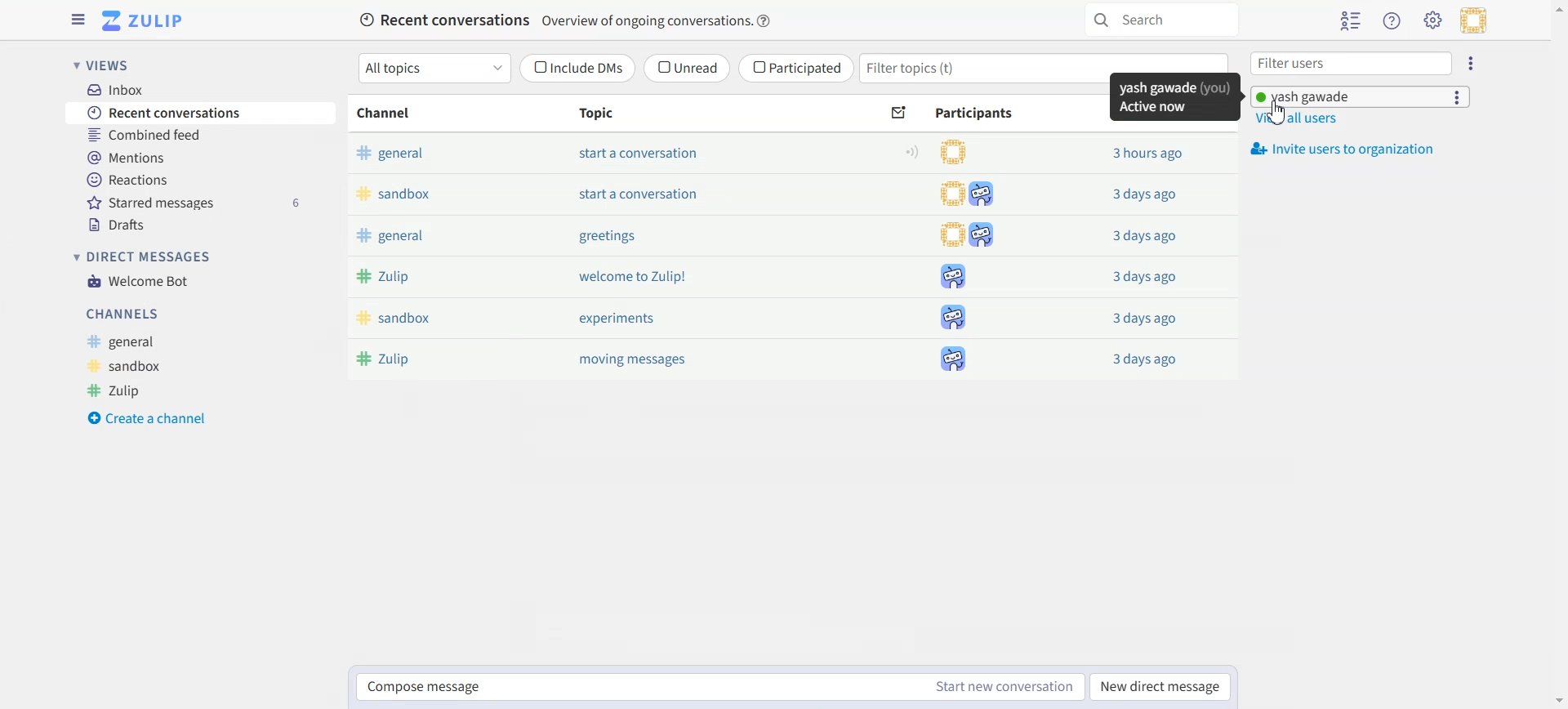 This screenshot has width=1568, height=709. I want to click on Views, so click(112, 65).